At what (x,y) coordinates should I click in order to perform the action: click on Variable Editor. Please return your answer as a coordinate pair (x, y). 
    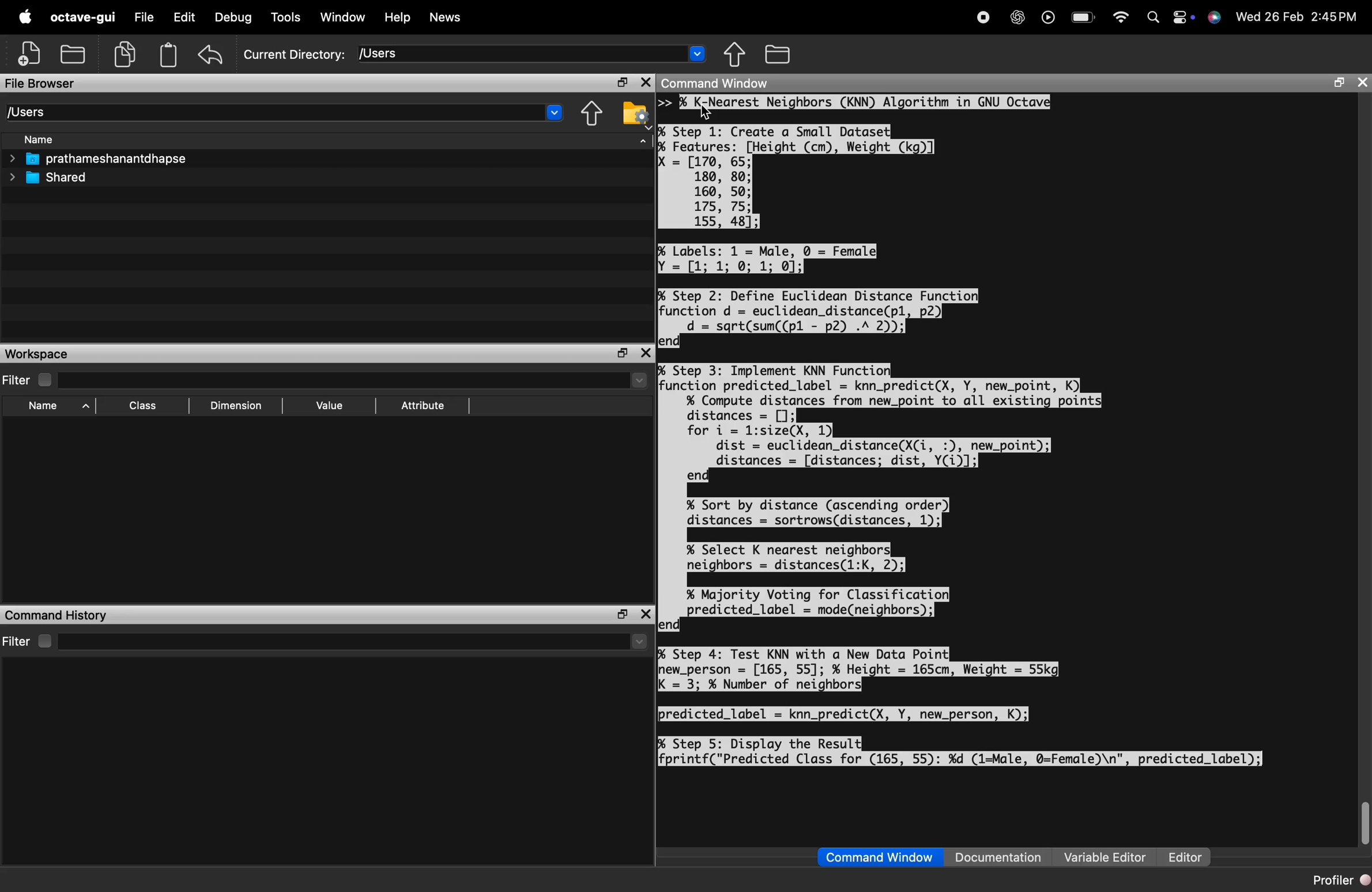
    Looking at the image, I should click on (1099, 852).